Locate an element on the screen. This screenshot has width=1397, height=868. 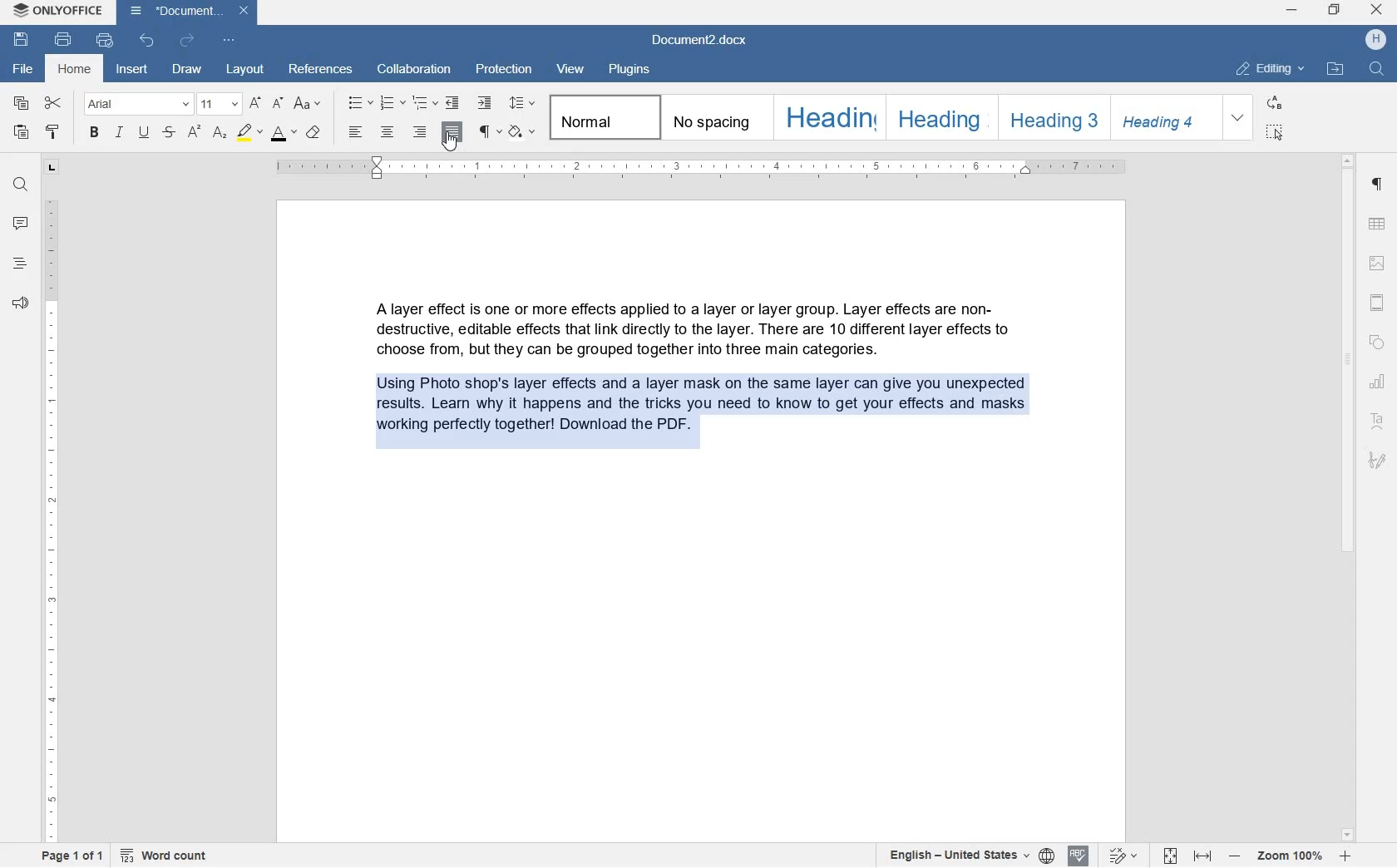
LAYOUT is located at coordinates (245, 67).